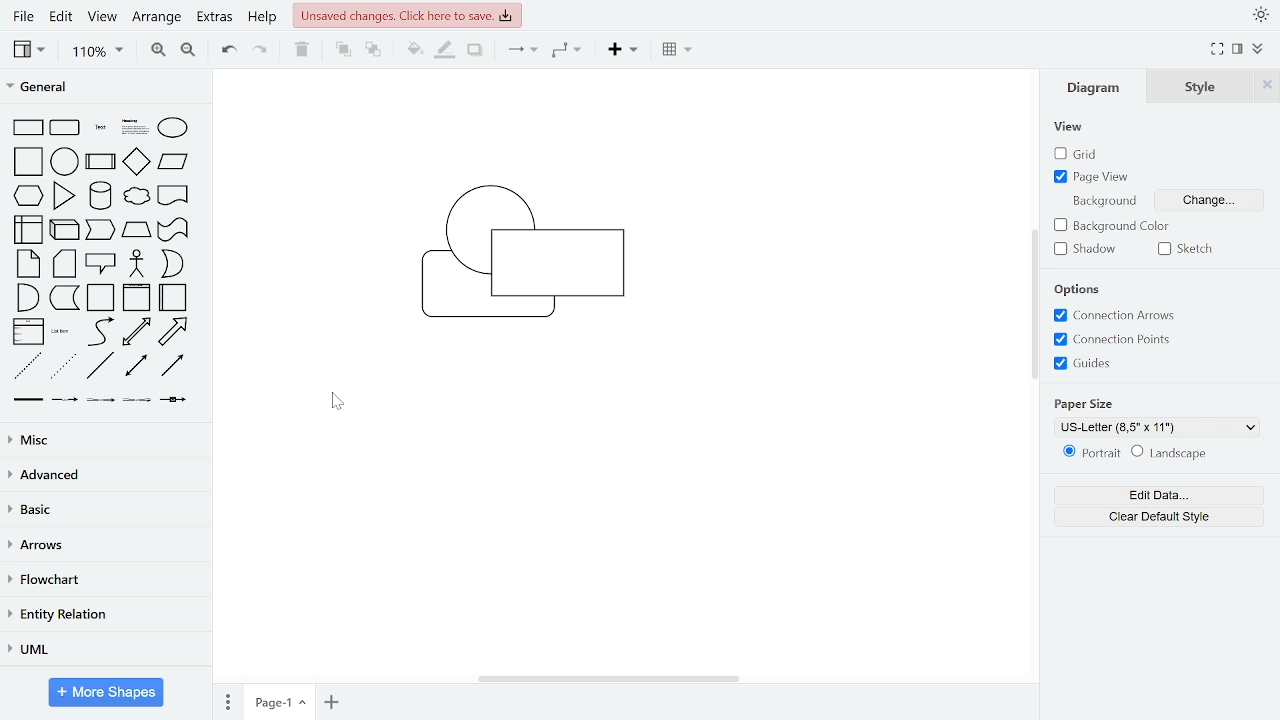  What do you see at coordinates (100, 400) in the screenshot?
I see `connector with 2 label` at bounding box center [100, 400].